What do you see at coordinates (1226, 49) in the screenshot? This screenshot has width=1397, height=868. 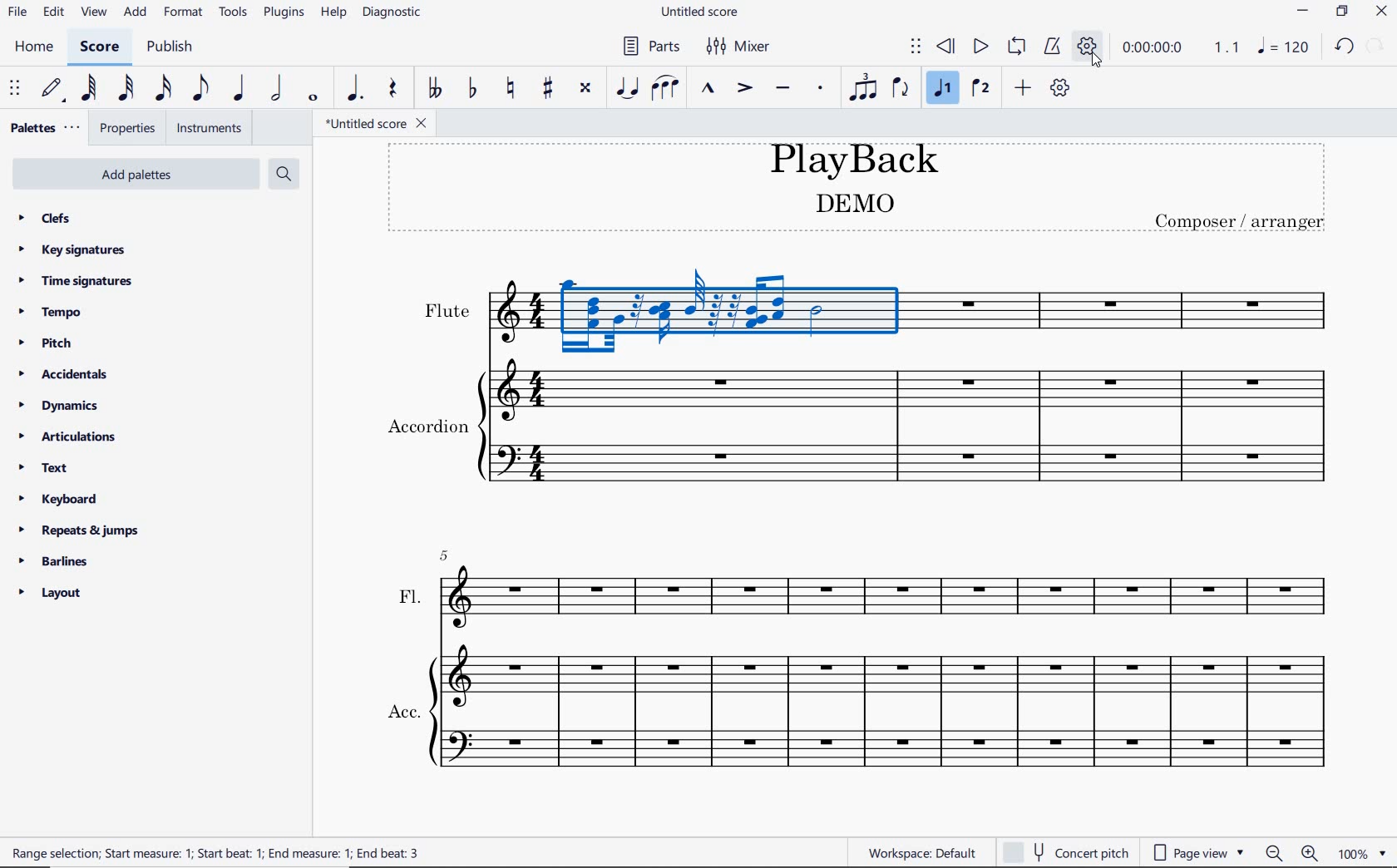 I see `Playback speed` at bounding box center [1226, 49].